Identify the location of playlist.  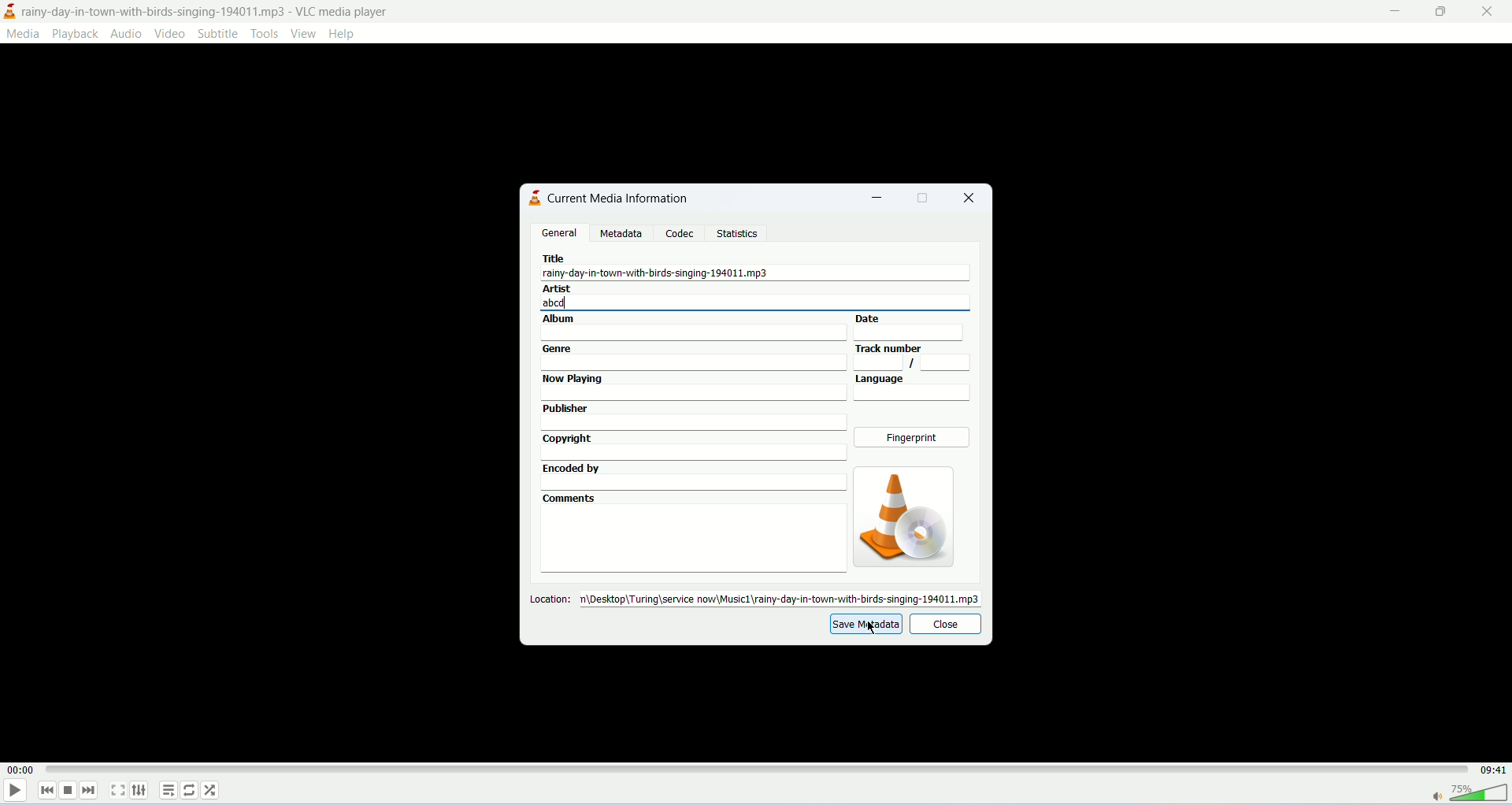
(169, 790).